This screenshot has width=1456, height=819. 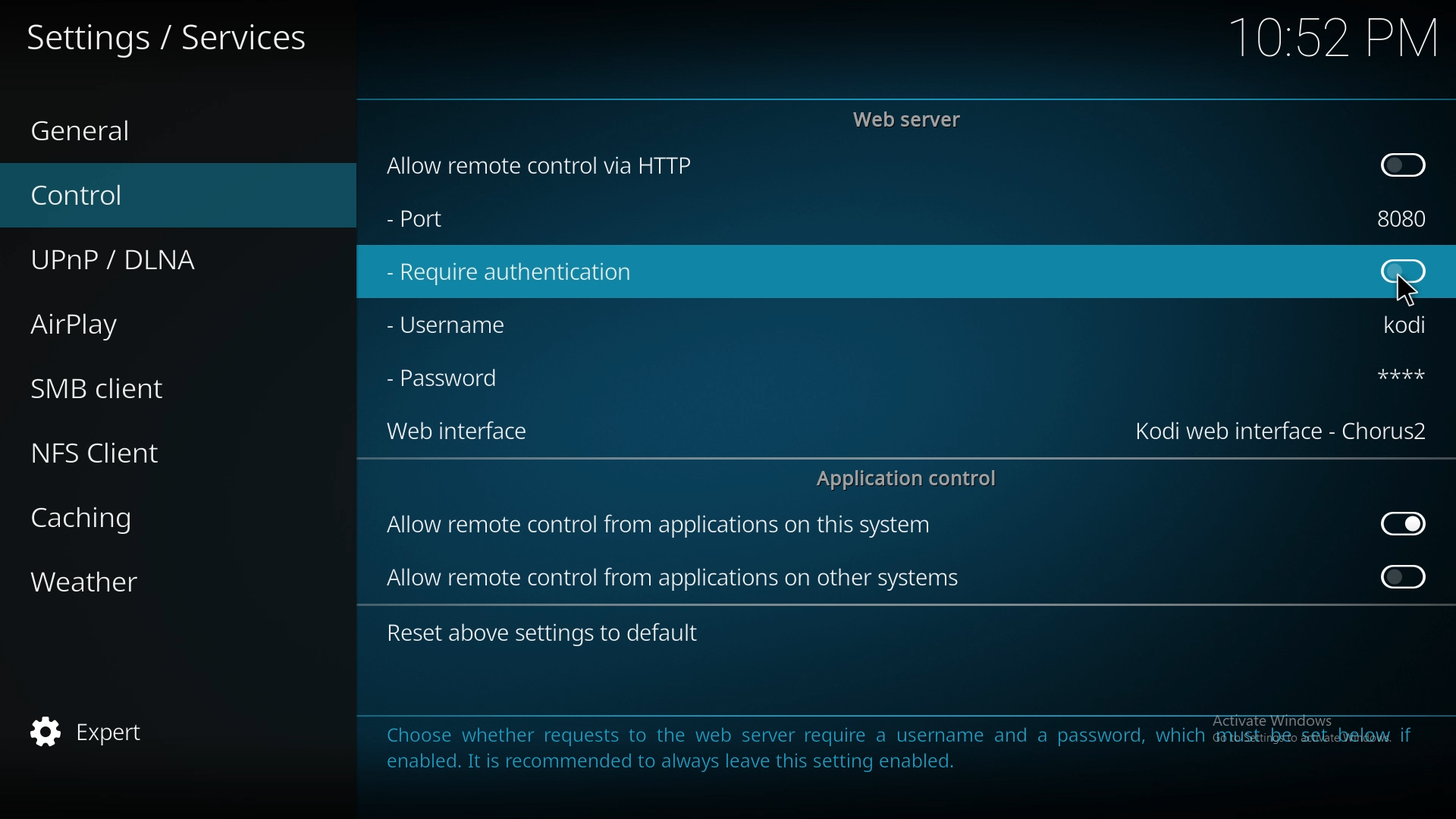 I want to click on control, so click(x=155, y=196).